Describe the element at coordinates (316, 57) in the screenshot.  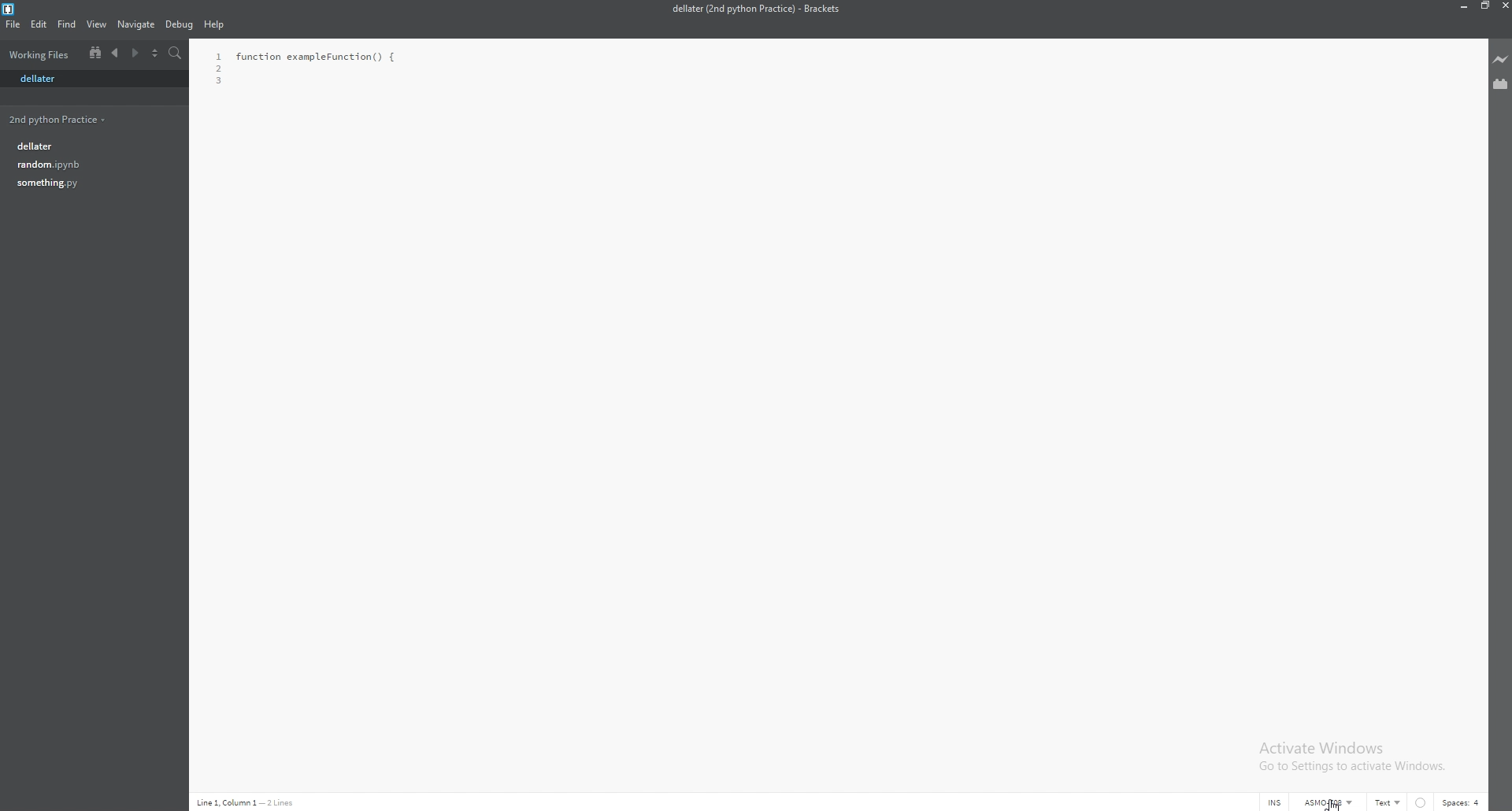
I see `function exampleFunction() {` at that location.